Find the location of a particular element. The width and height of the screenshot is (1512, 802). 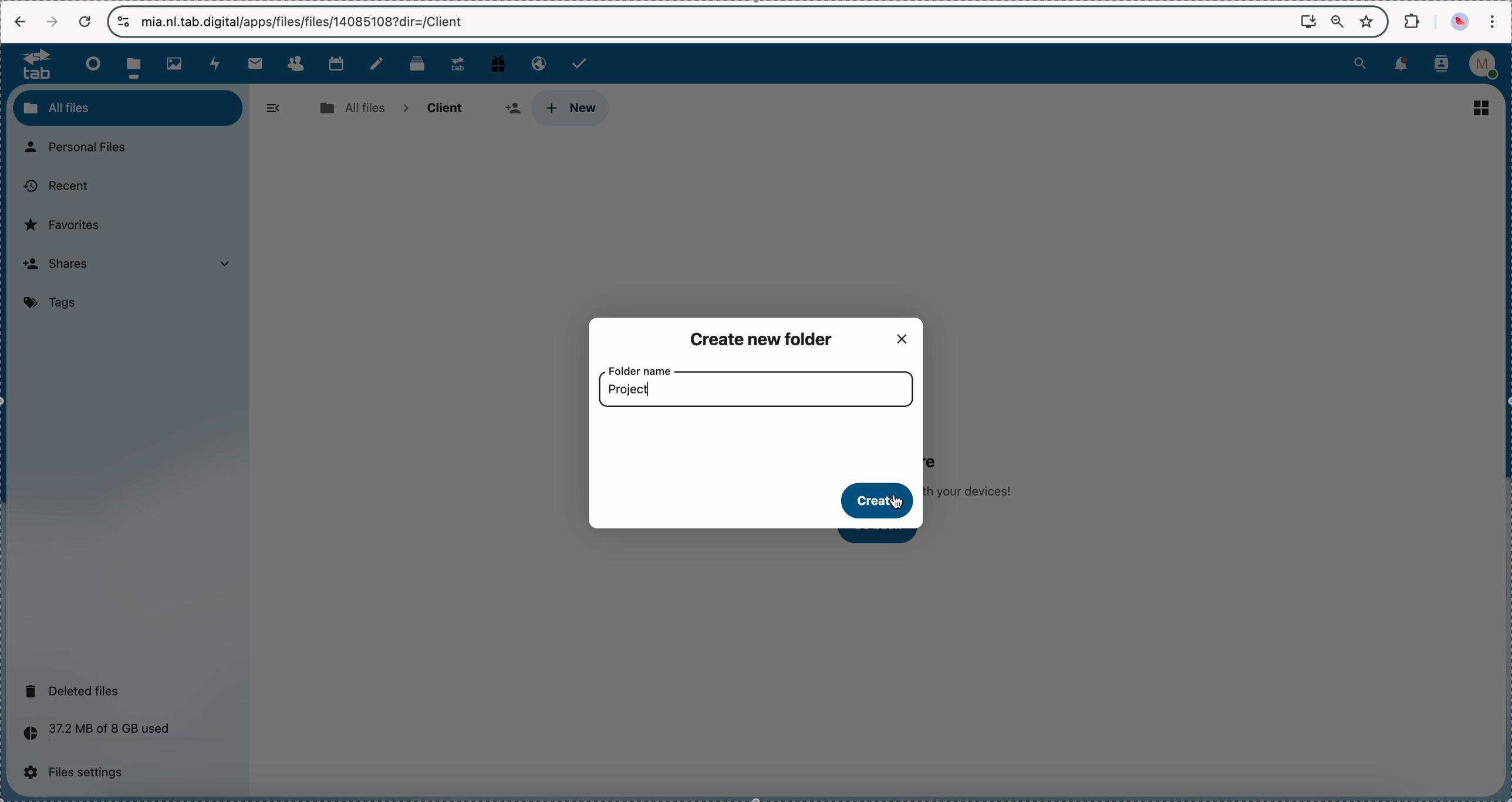

37.2 MB of 8 GB is located at coordinates (93, 735).